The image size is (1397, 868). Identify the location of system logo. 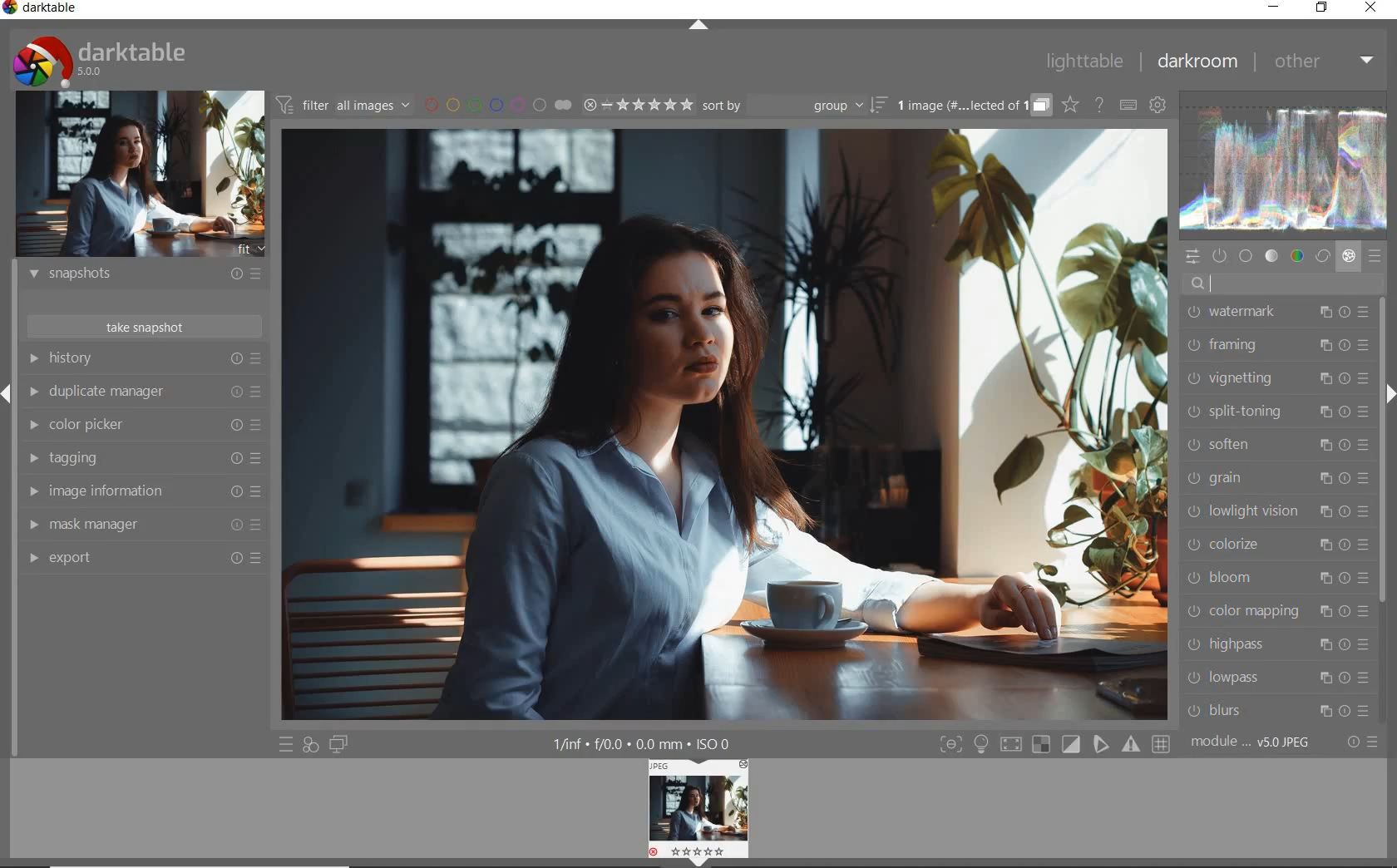
(101, 61).